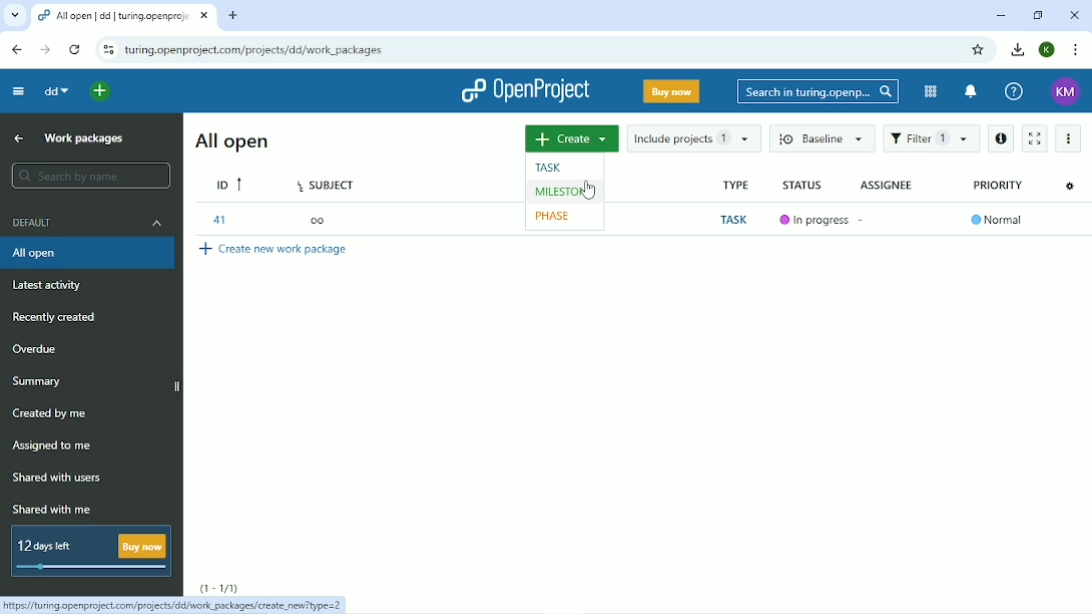  What do you see at coordinates (1048, 50) in the screenshot?
I see `K` at bounding box center [1048, 50].